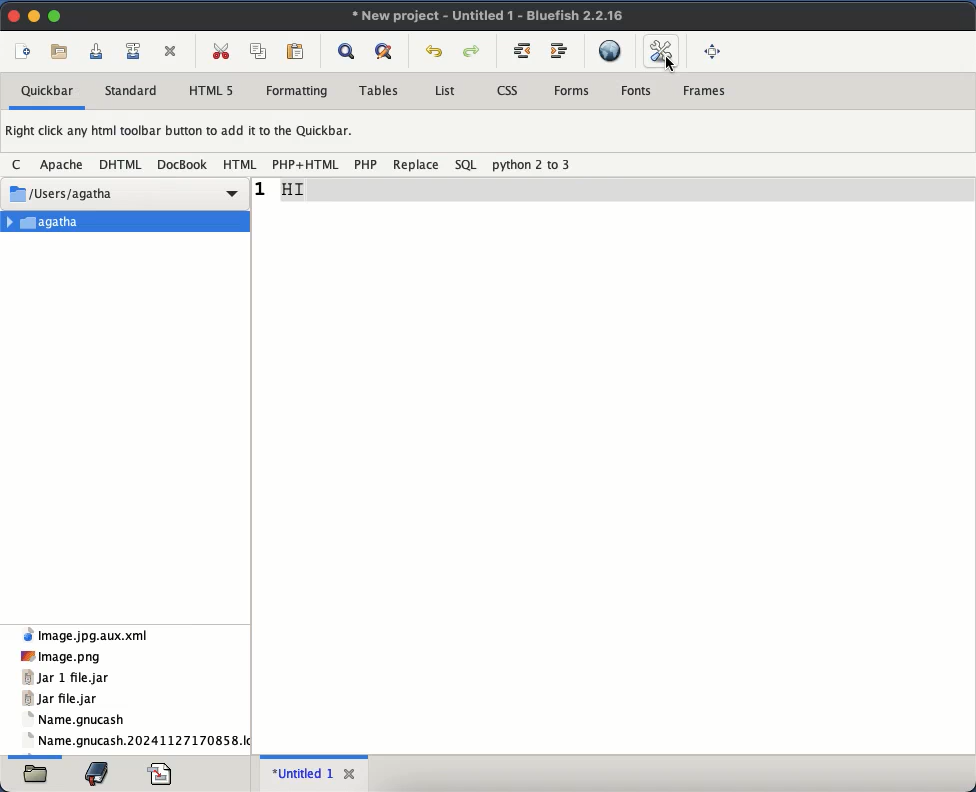  Describe the element at coordinates (63, 700) in the screenshot. I see `jar file.jar` at that location.